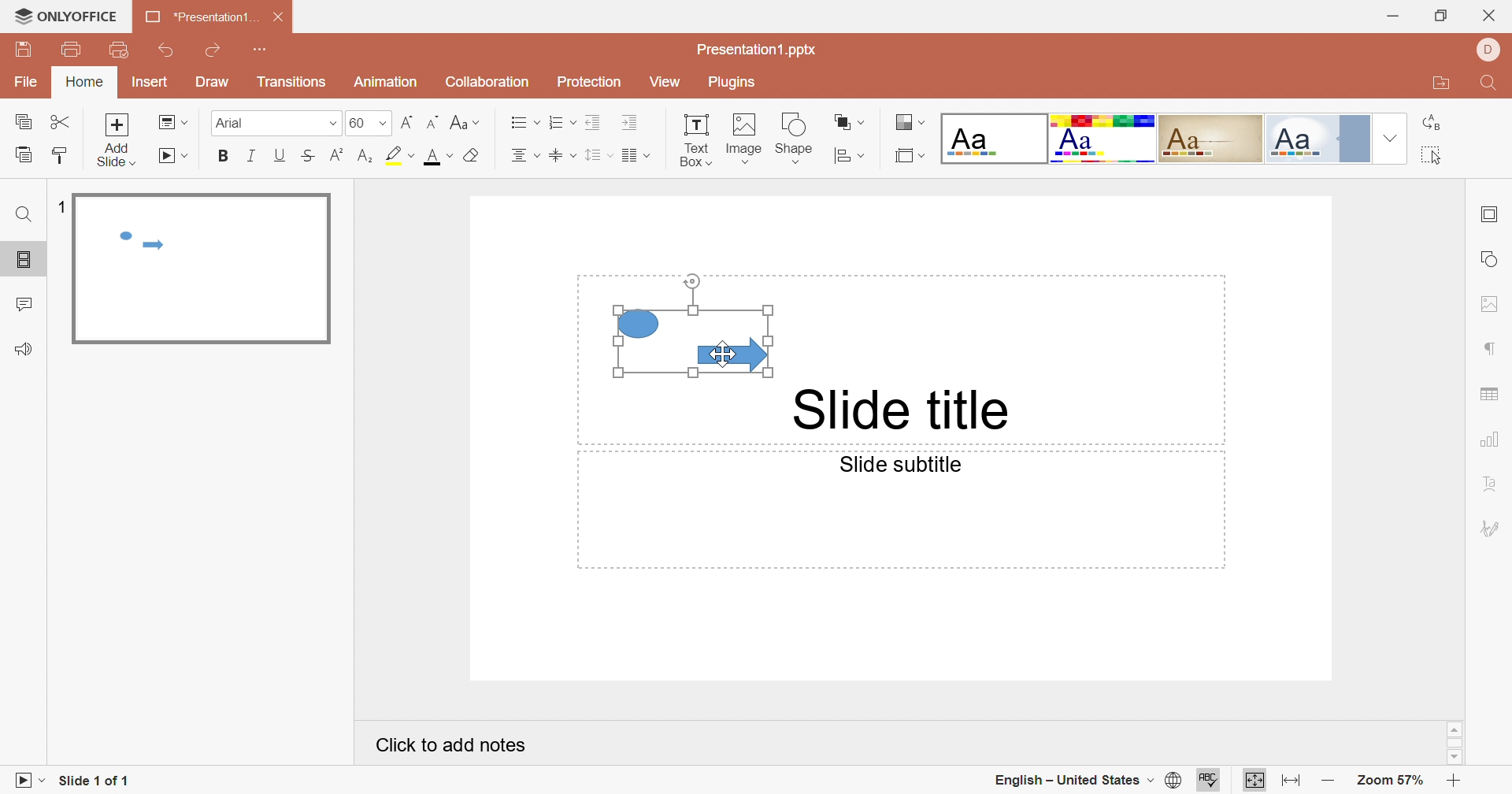  I want to click on Signature settings, so click(1492, 532).